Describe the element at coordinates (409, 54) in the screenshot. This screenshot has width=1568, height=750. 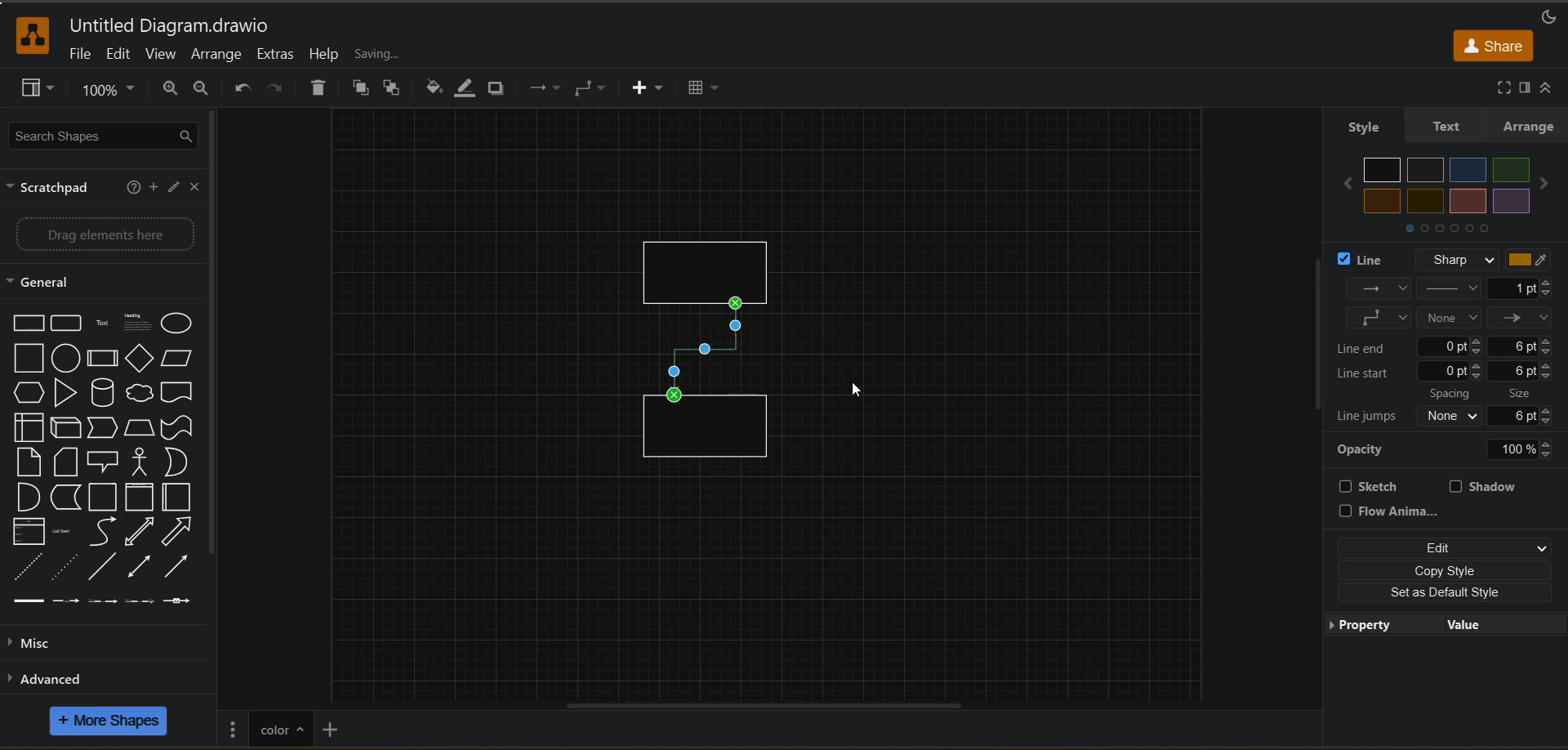
I see `all changes saved` at that location.